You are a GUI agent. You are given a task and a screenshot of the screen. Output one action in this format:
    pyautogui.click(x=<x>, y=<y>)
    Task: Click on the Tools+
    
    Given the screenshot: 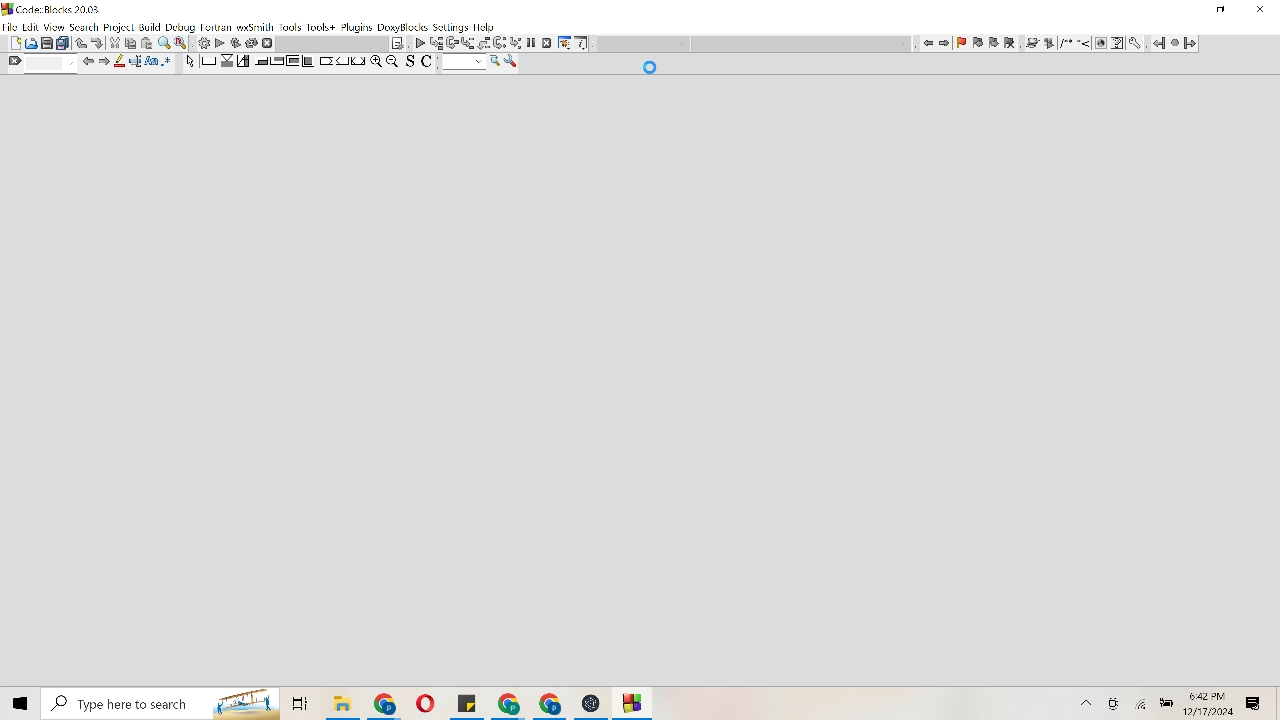 What is the action you would take?
    pyautogui.click(x=321, y=28)
    